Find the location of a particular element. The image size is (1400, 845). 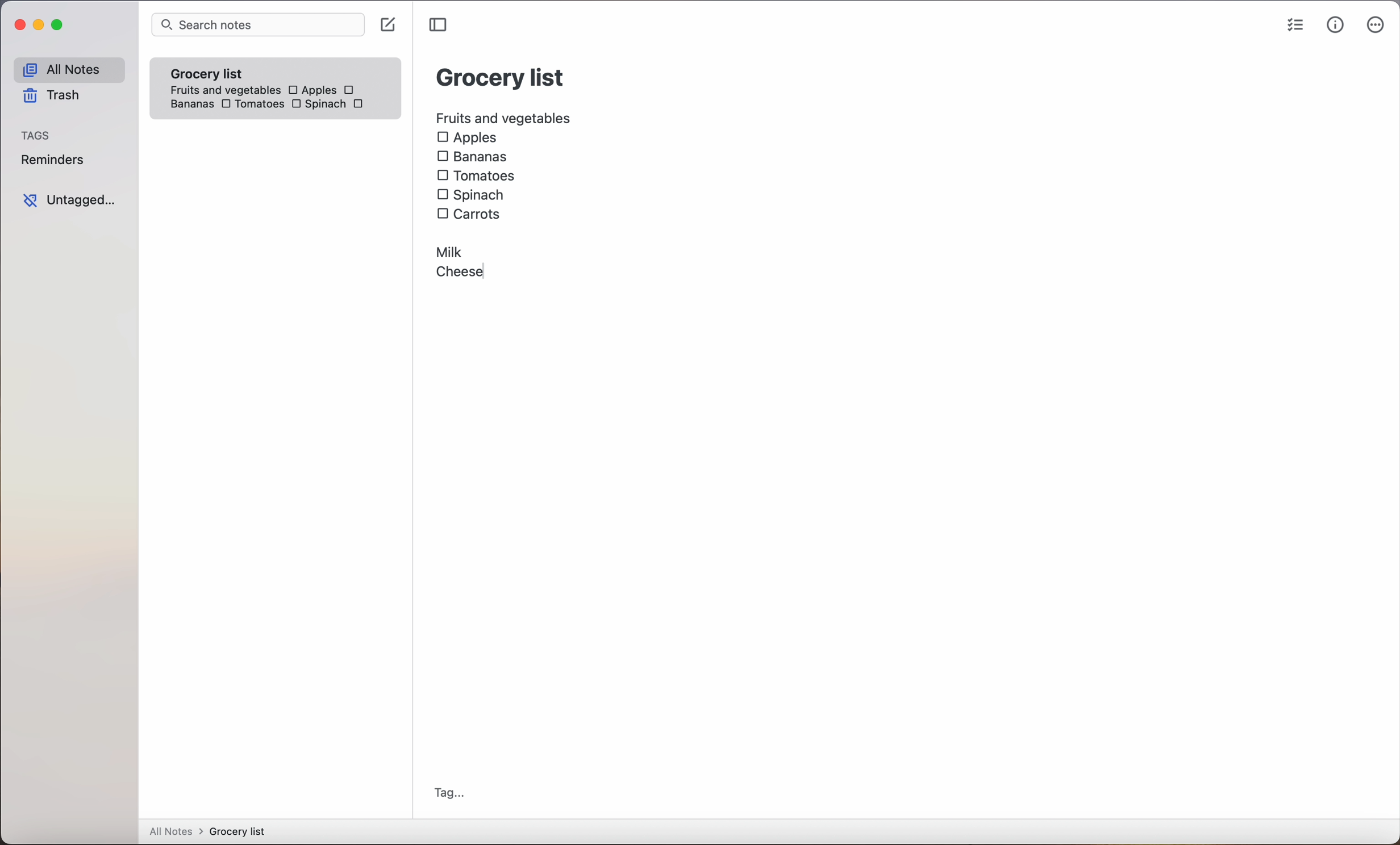

grocery list is located at coordinates (501, 76).